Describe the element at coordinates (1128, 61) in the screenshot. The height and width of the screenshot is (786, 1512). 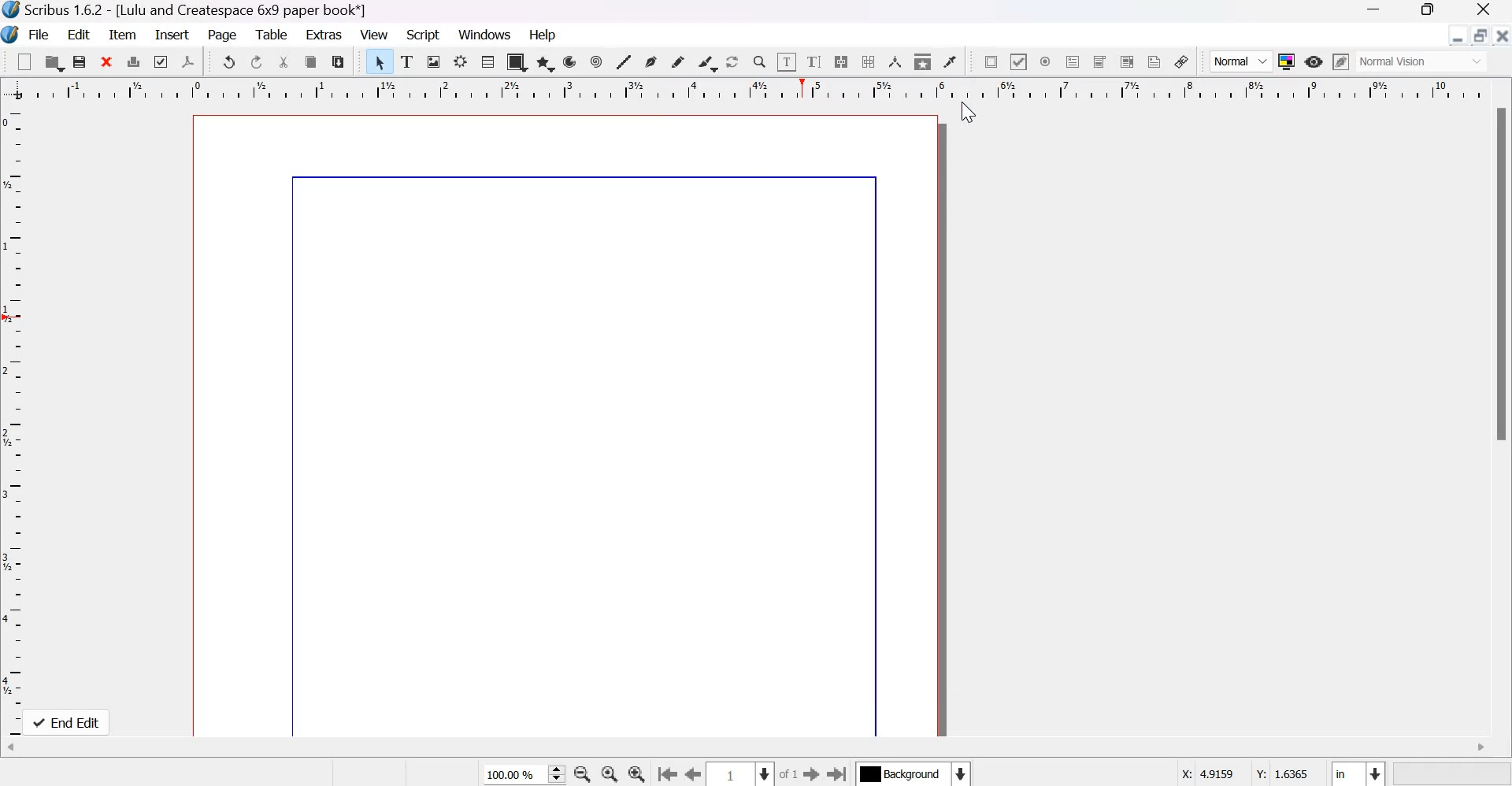
I see `PDF list box` at that location.